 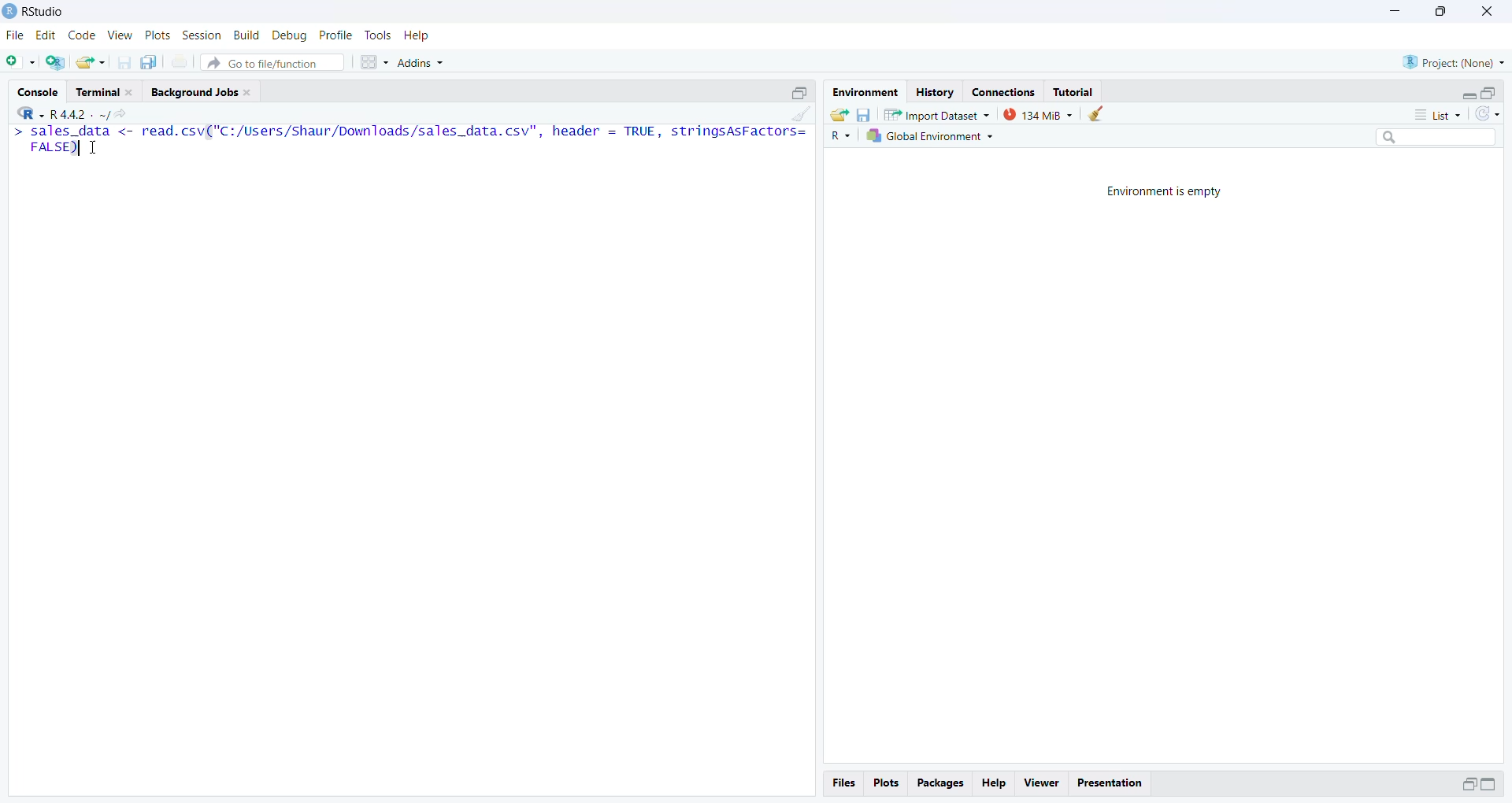 I want to click on Terminal, so click(x=102, y=92).